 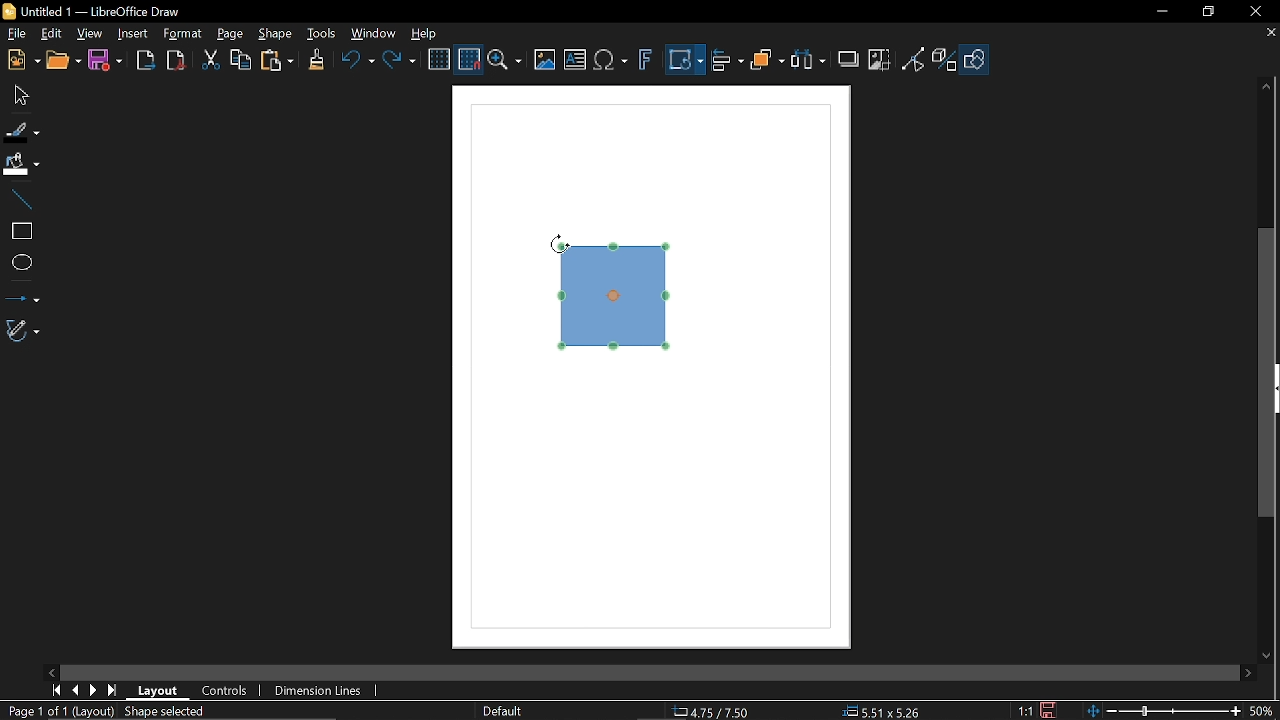 What do you see at coordinates (506, 60) in the screenshot?
I see `Zoom` at bounding box center [506, 60].